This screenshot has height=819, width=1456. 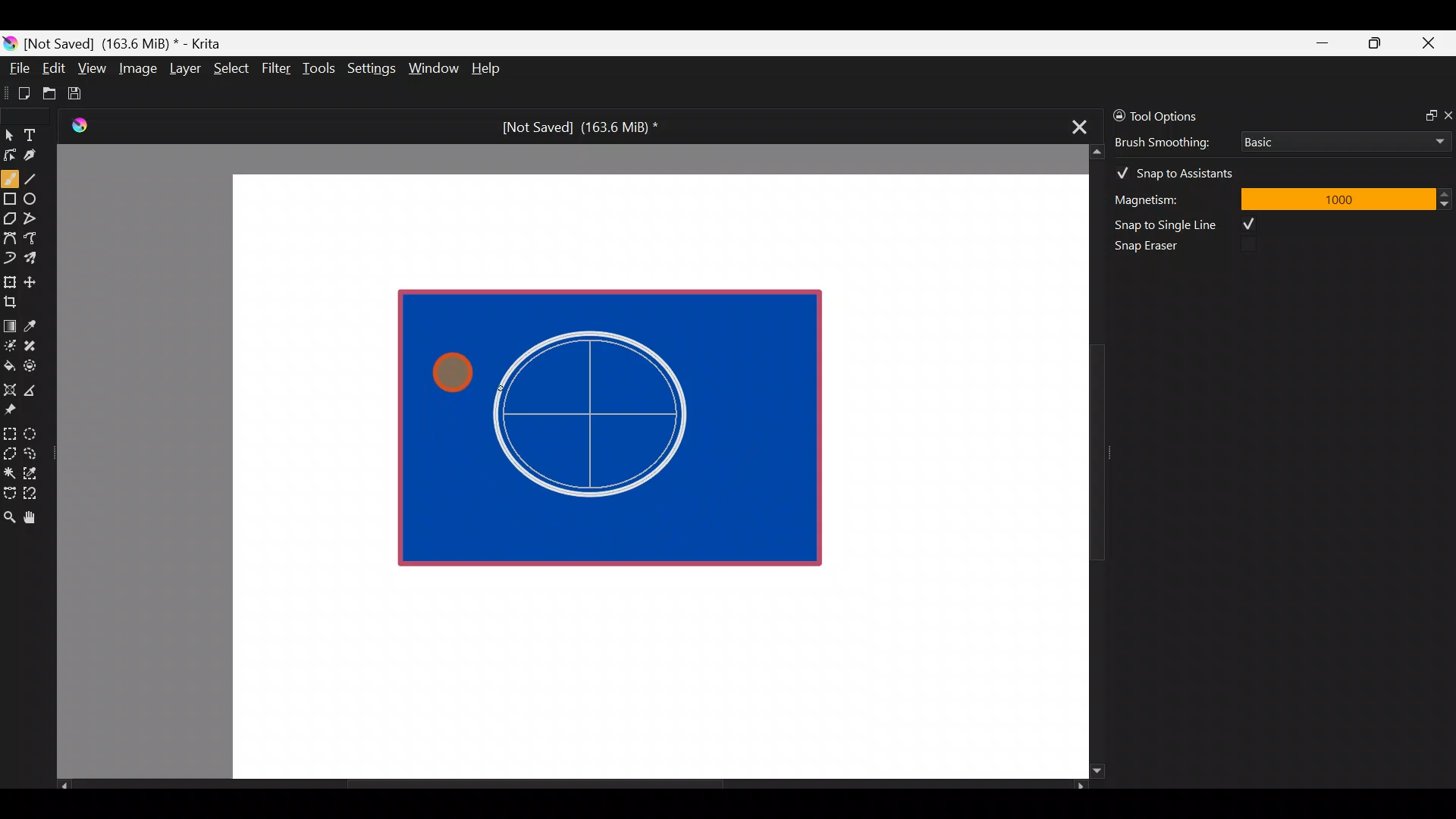 I want to click on Elliptical selection tool, so click(x=36, y=431).